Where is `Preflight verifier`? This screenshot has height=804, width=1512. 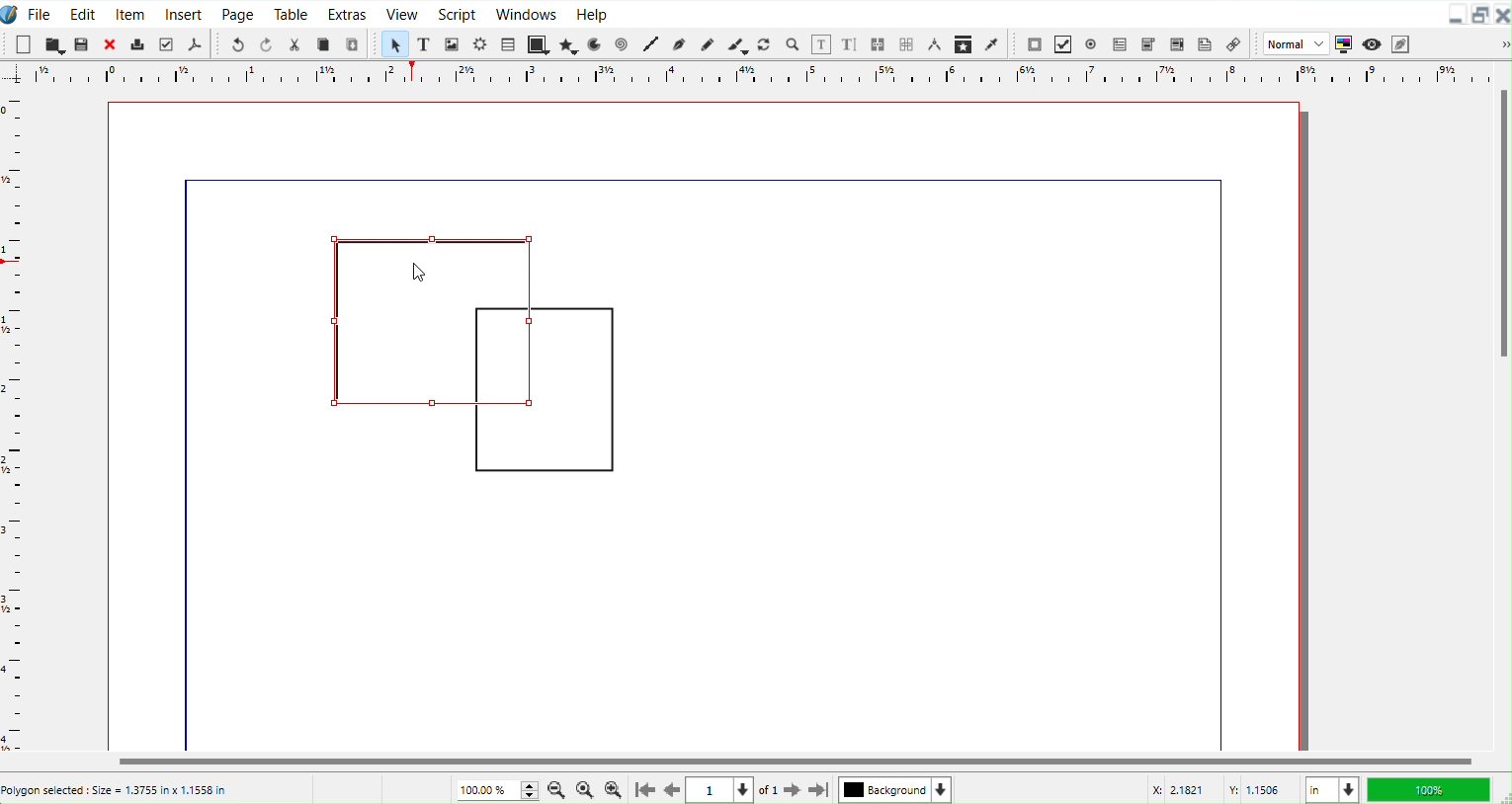
Preflight verifier is located at coordinates (167, 42).